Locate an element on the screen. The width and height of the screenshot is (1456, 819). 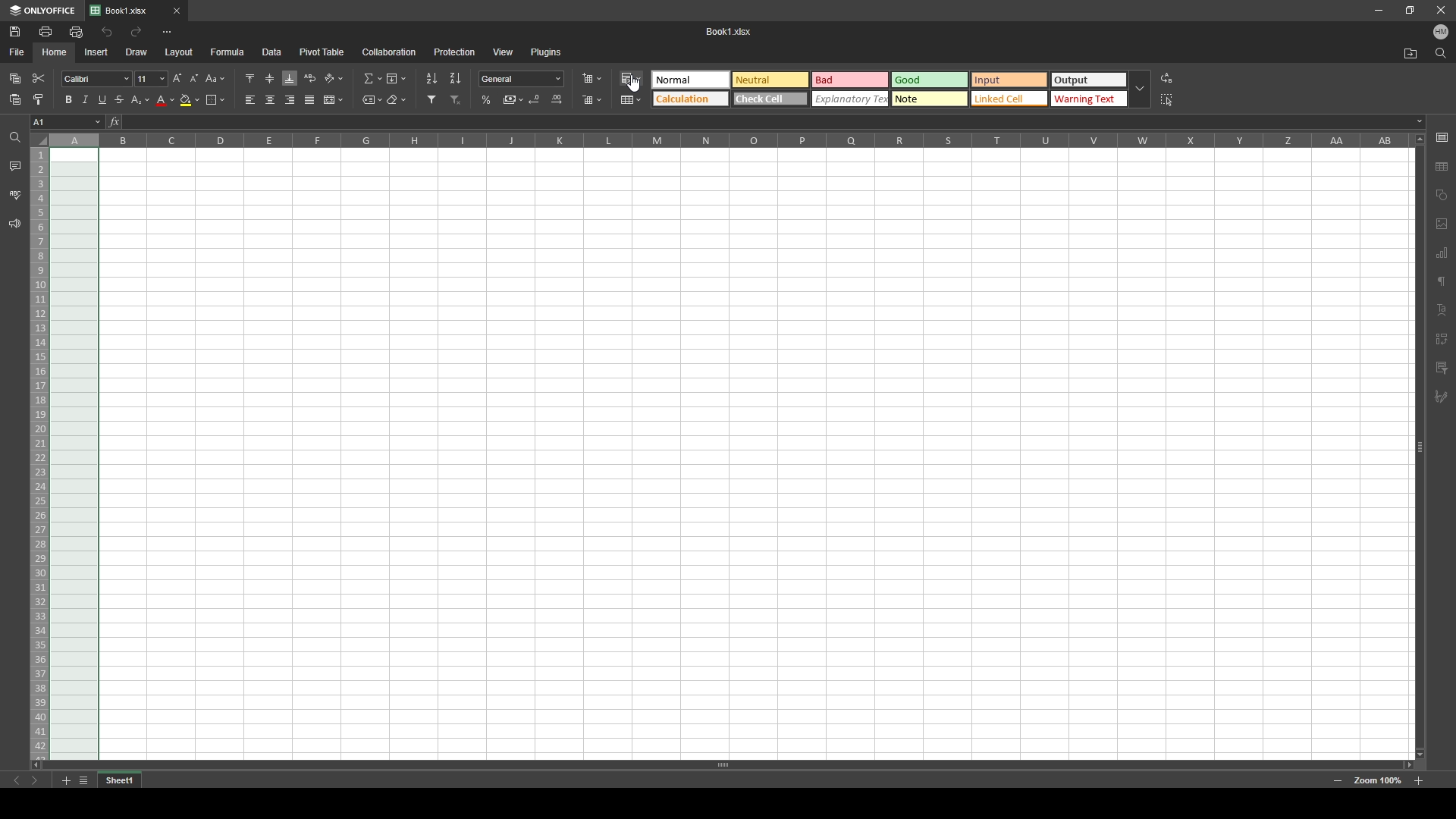
underline is located at coordinates (102, 100).